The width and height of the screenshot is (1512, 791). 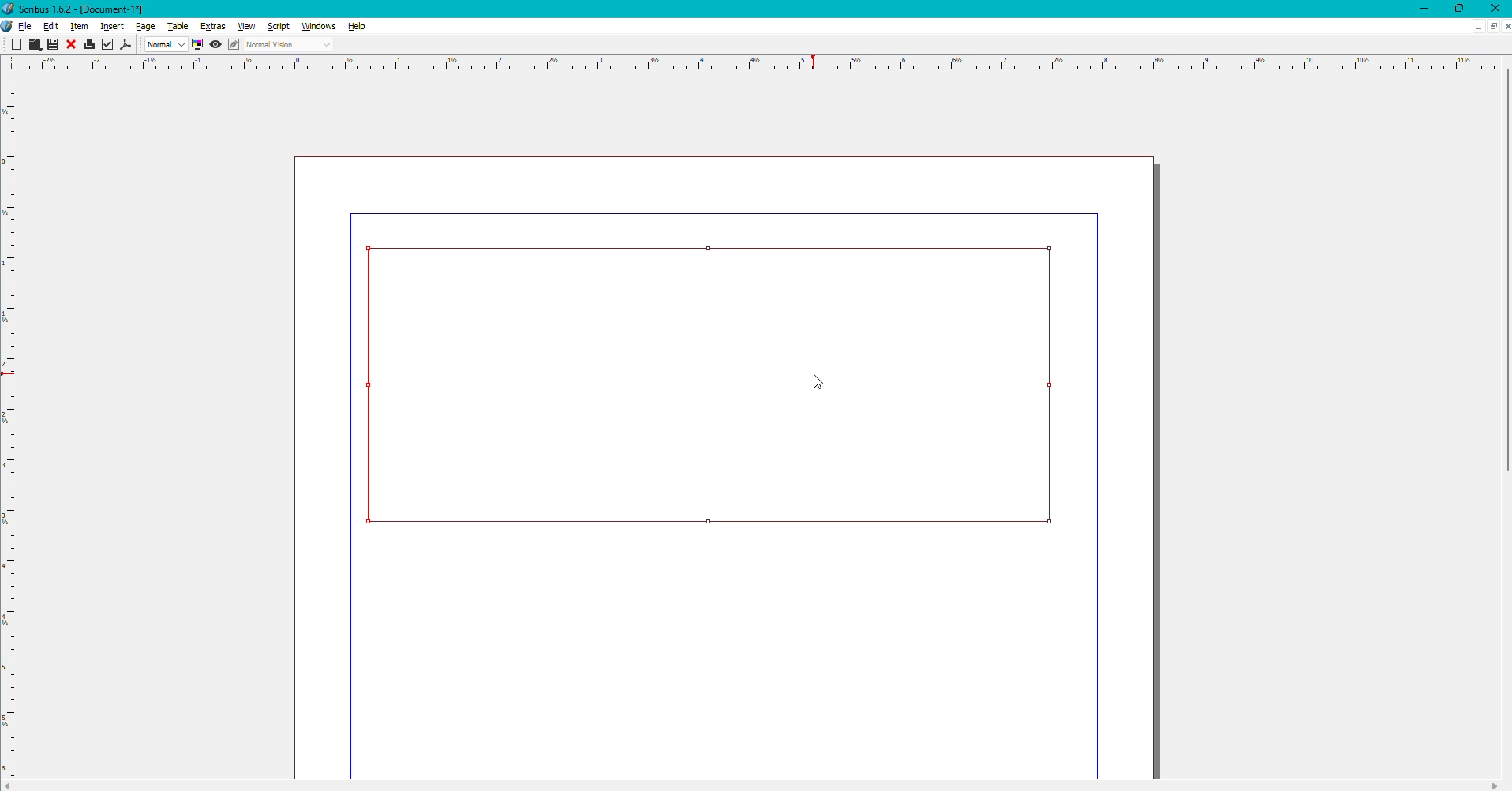 I want to click on Normal, so click(x=164, y=45).